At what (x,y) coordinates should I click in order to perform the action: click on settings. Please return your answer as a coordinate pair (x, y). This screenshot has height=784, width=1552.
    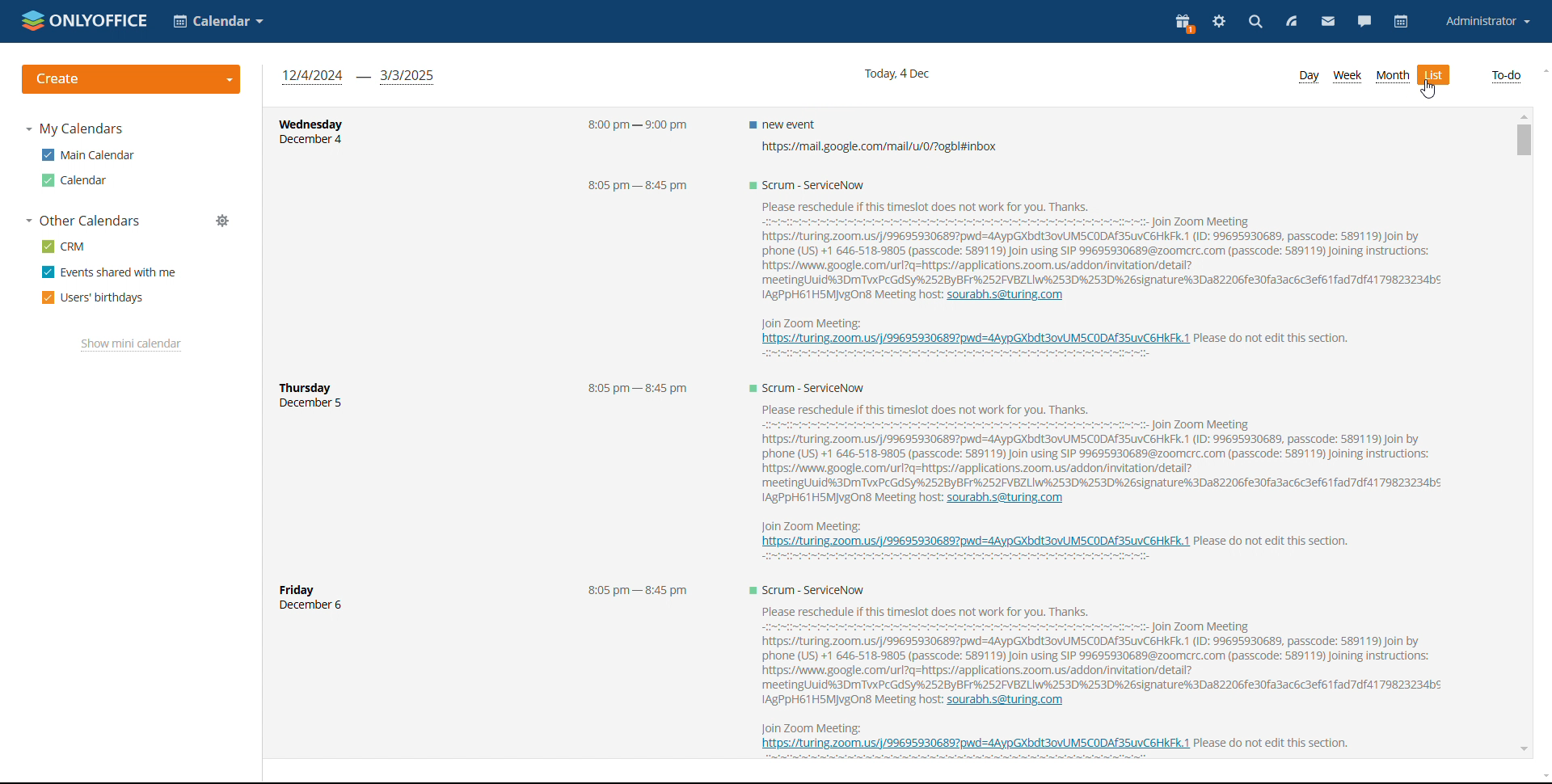
    Looking at the image, I should click on (1220, 23).